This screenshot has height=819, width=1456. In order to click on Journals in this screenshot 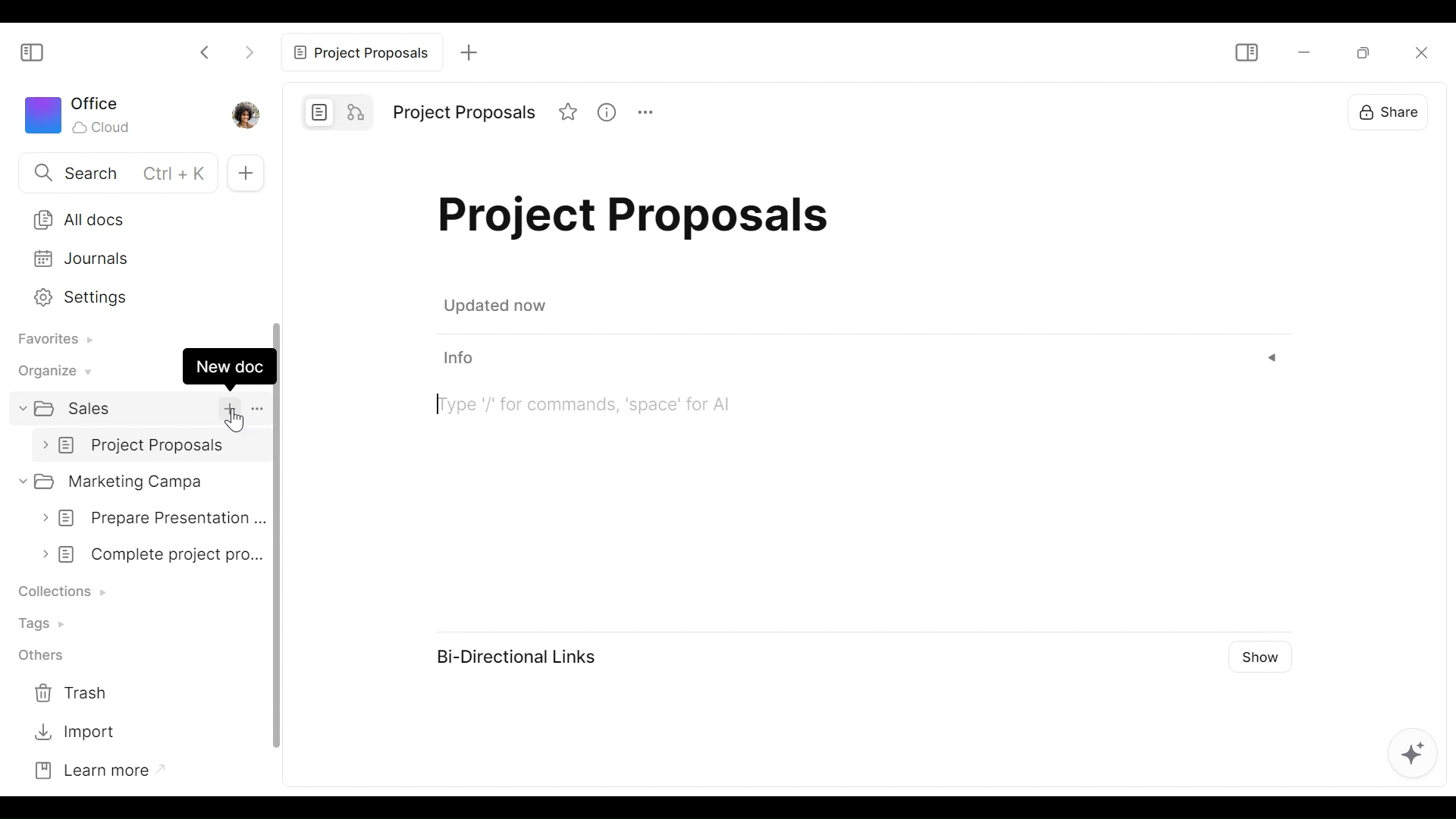, I will do `click(133, 258)`.